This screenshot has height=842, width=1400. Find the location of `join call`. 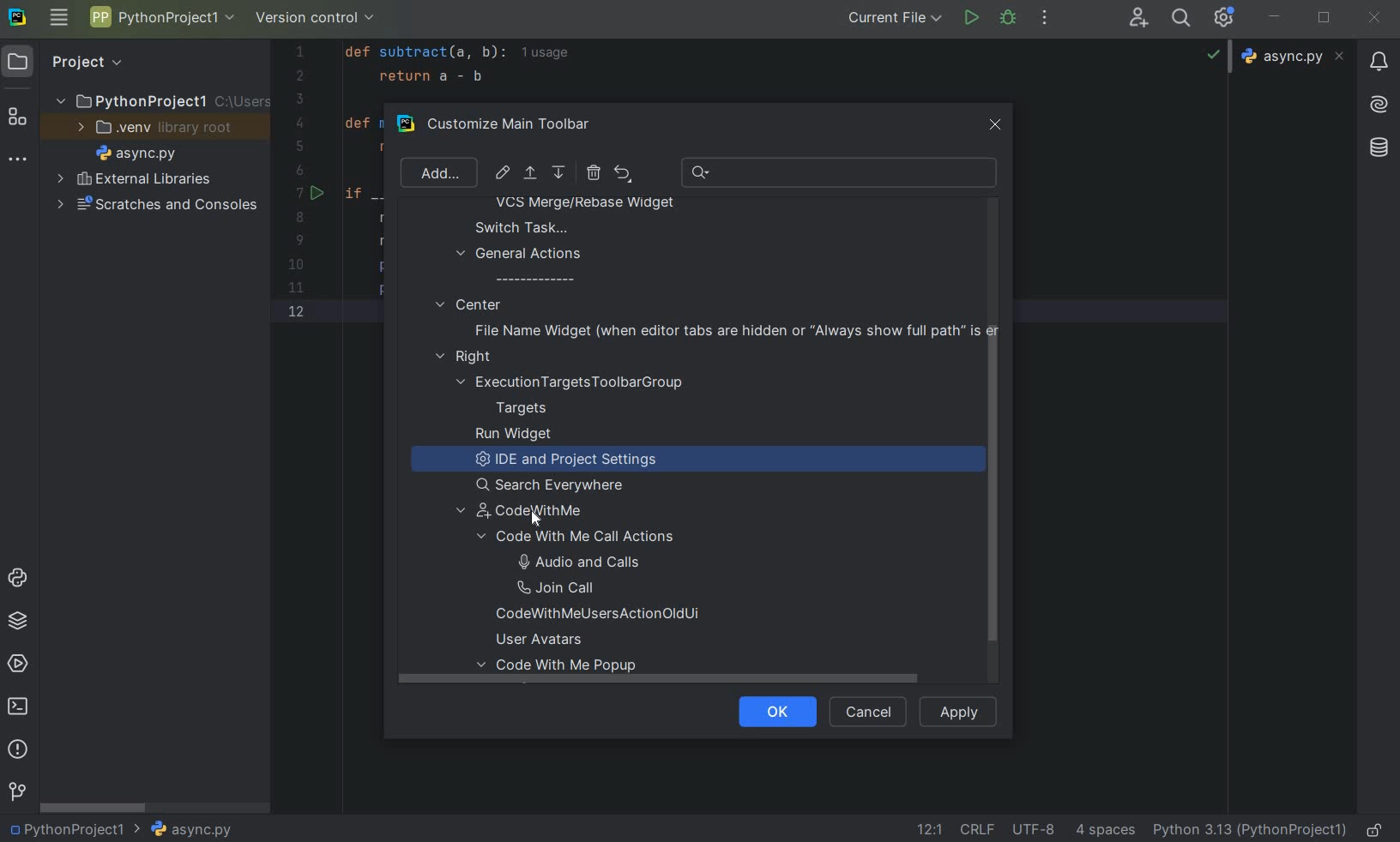

join call is located at coordinates (576, 588).